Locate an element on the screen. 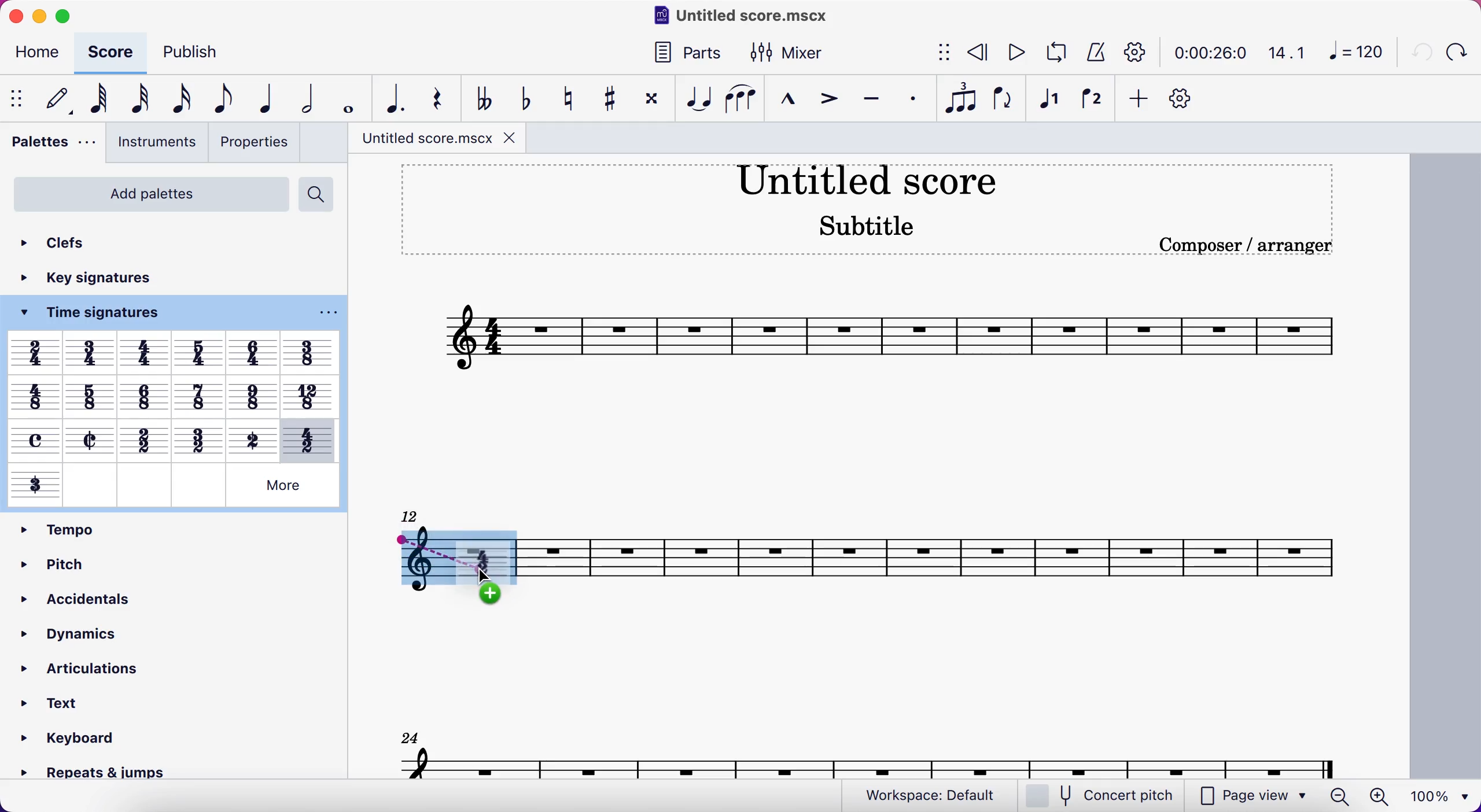 The height and width of the screenshot is (812, 1481). play is located at coordinates (1010, 53).